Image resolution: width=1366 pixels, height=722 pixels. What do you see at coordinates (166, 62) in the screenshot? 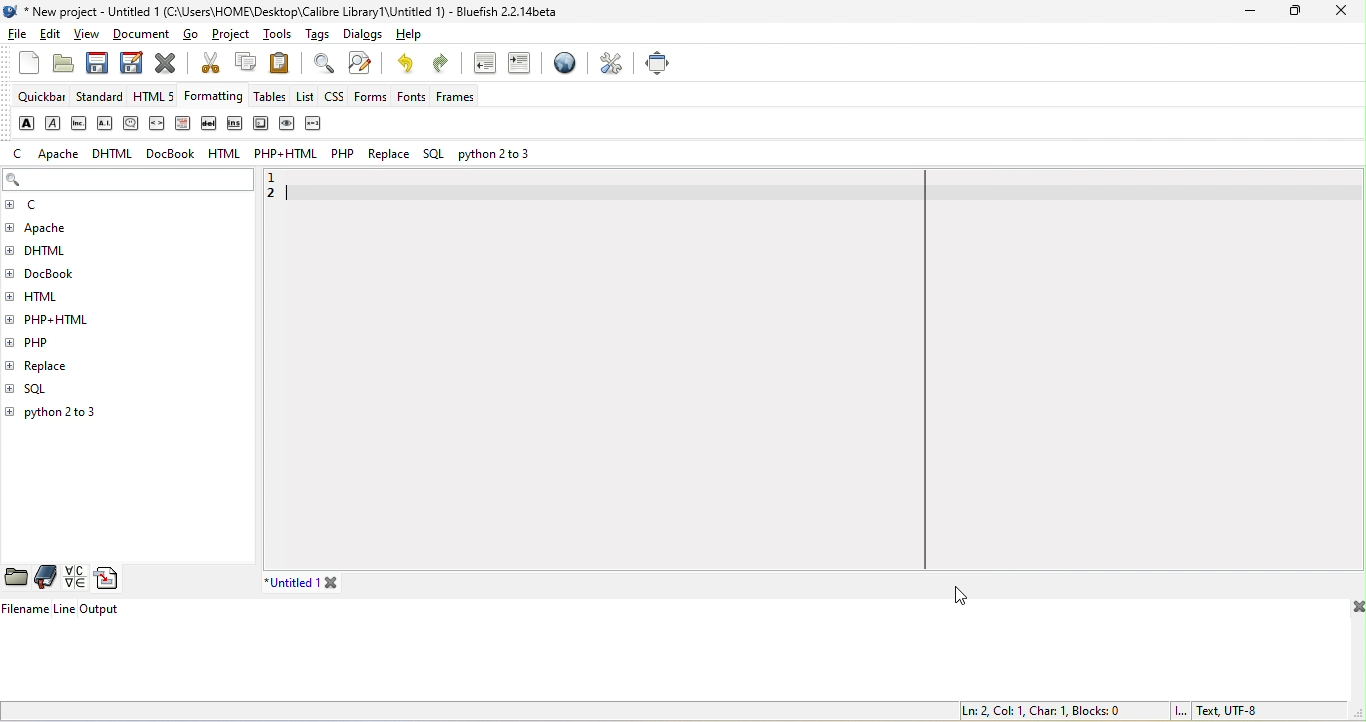
I see `close` at bounding box center [166, 62].